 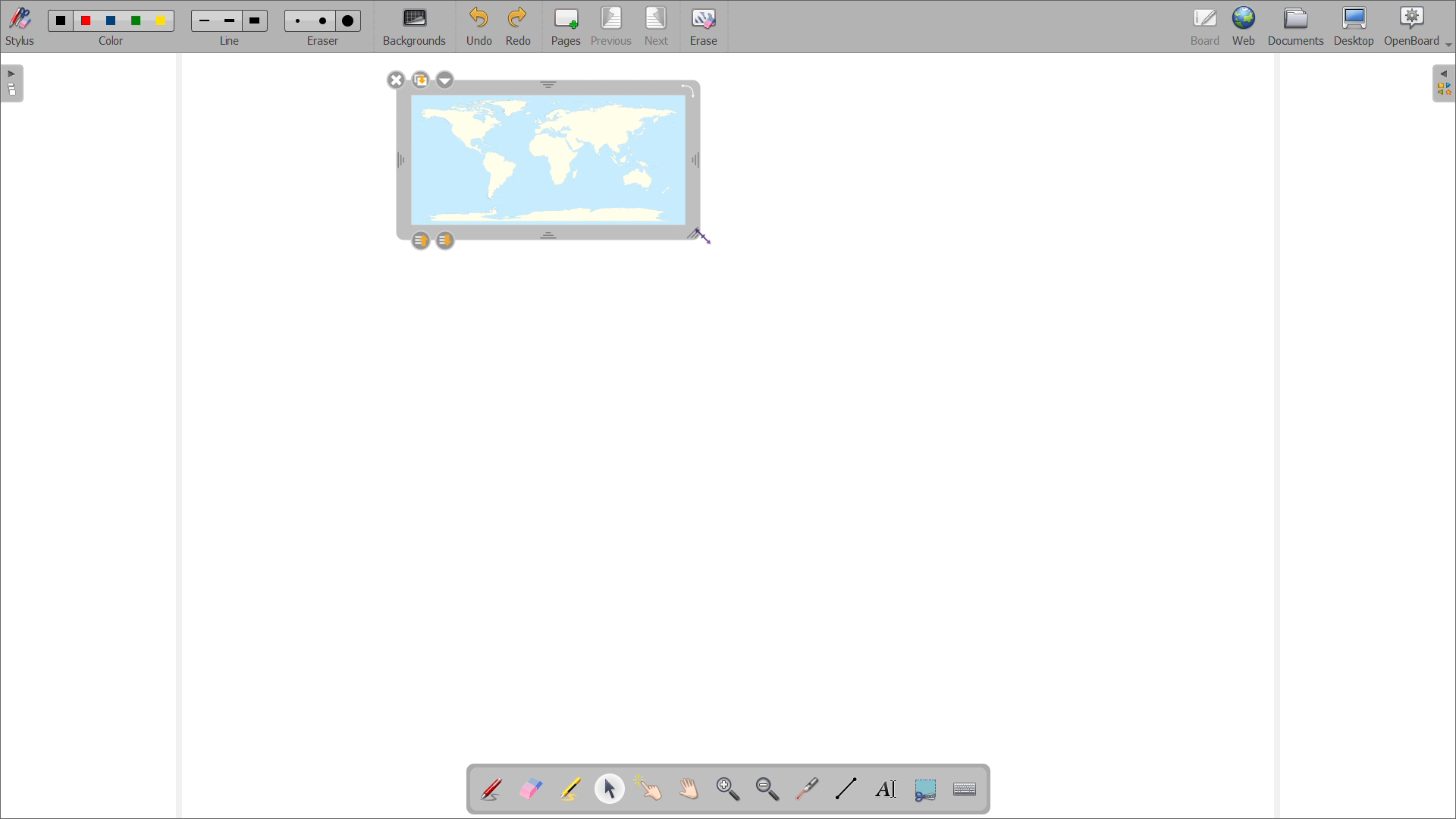 What do you see at coordinates (927, 789) in the screenshot?
I see `capture part of the screen` at bounding box center [927, 789].